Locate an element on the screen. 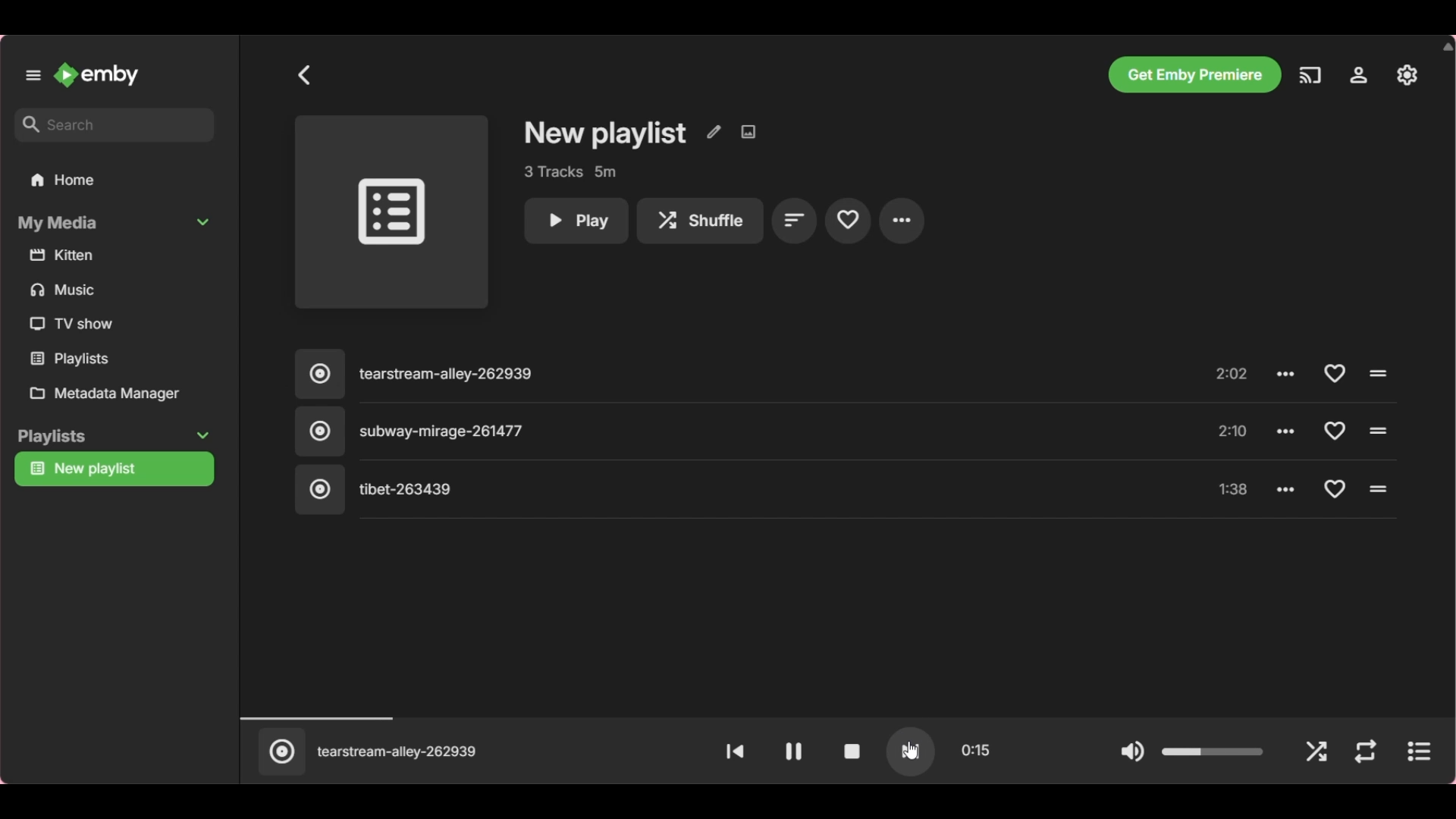 The width and height of the screenshot is (1456, 819). Add to favorites is located at coordinates (847, 221).